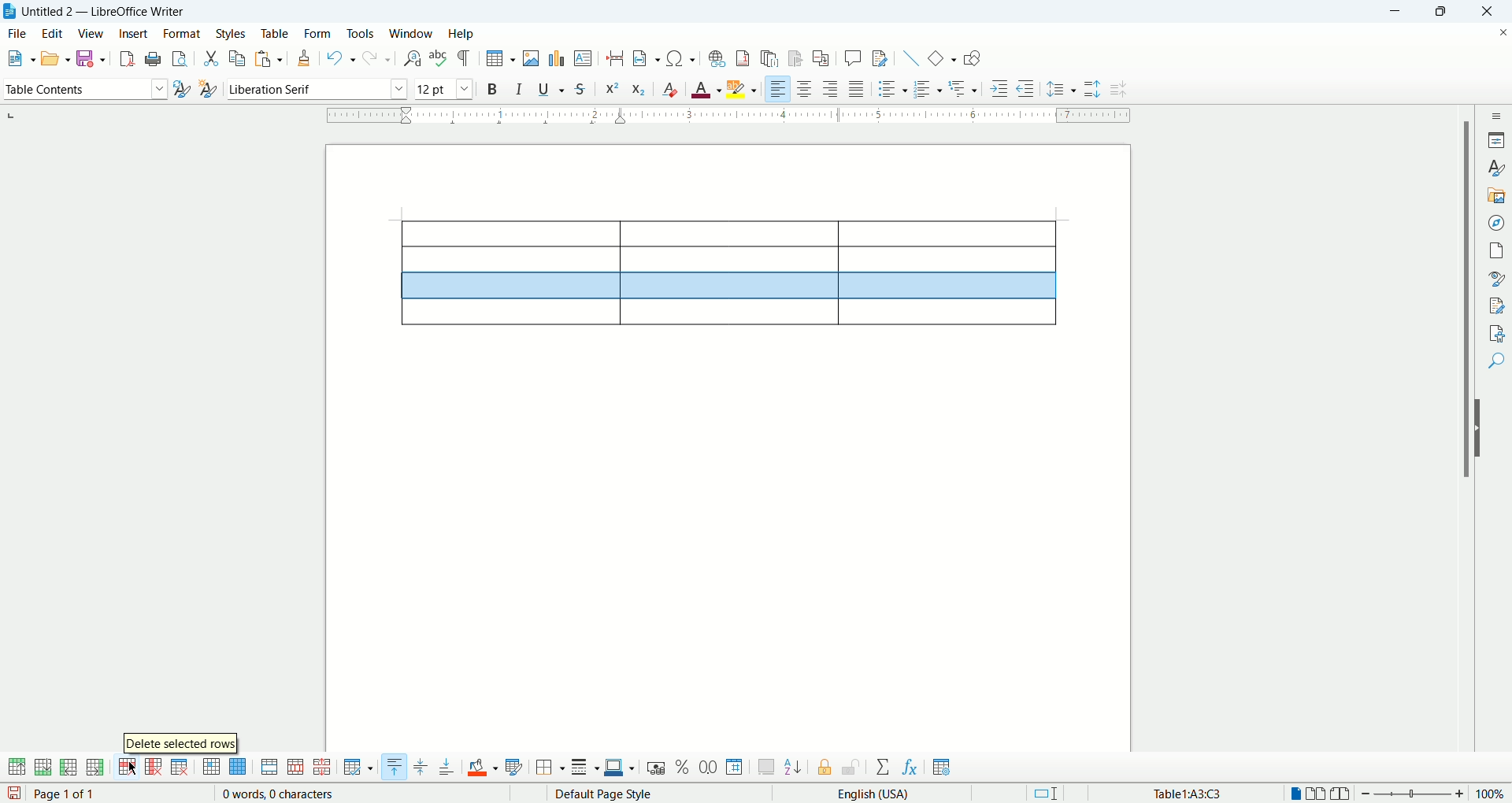  I want to click on undo, so click(342, 58).